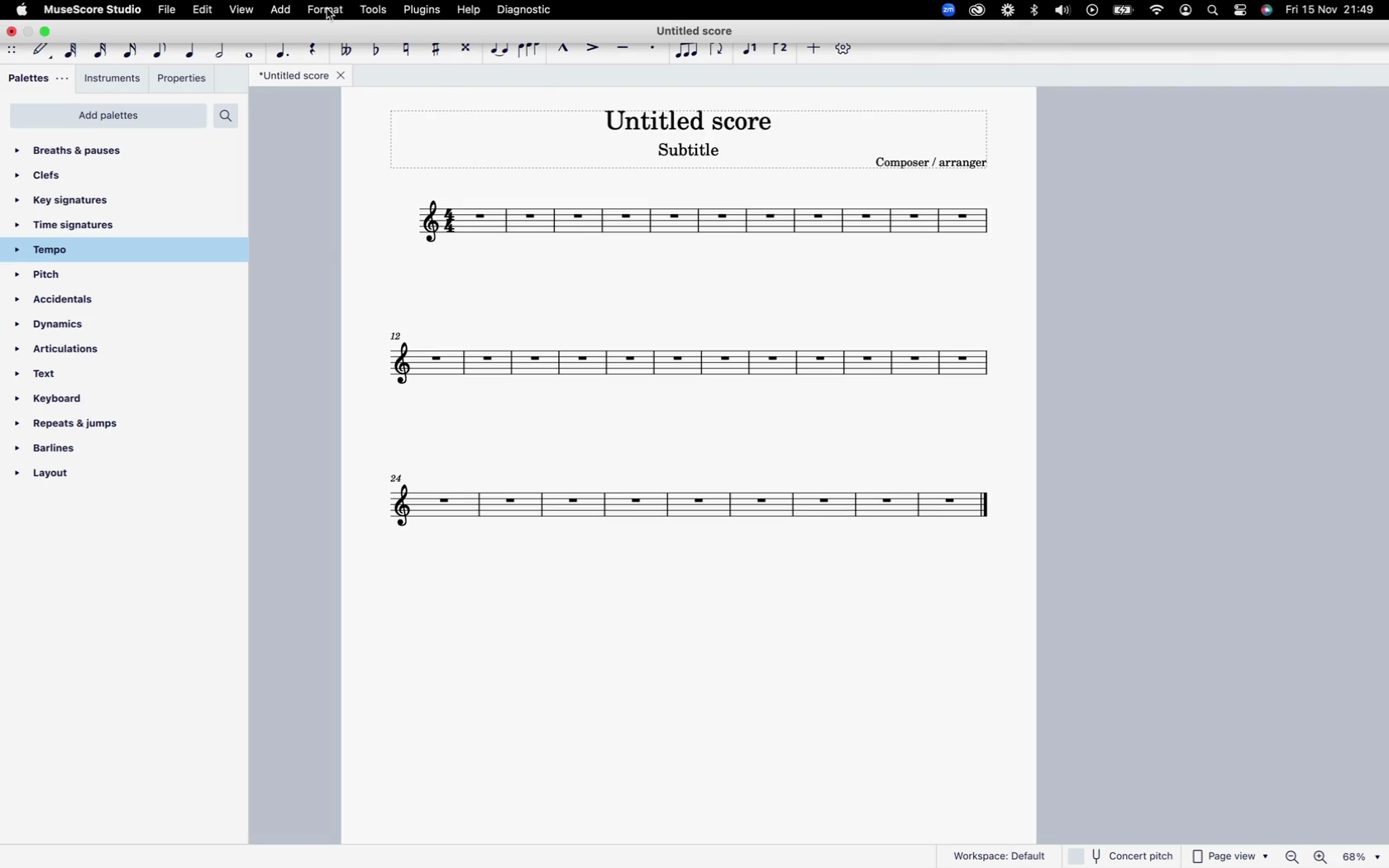 This screenshot has height=868, width=1389. Describe the element at coordinates (690, 150) in the screenshot. I see `score subtitle` at that location.